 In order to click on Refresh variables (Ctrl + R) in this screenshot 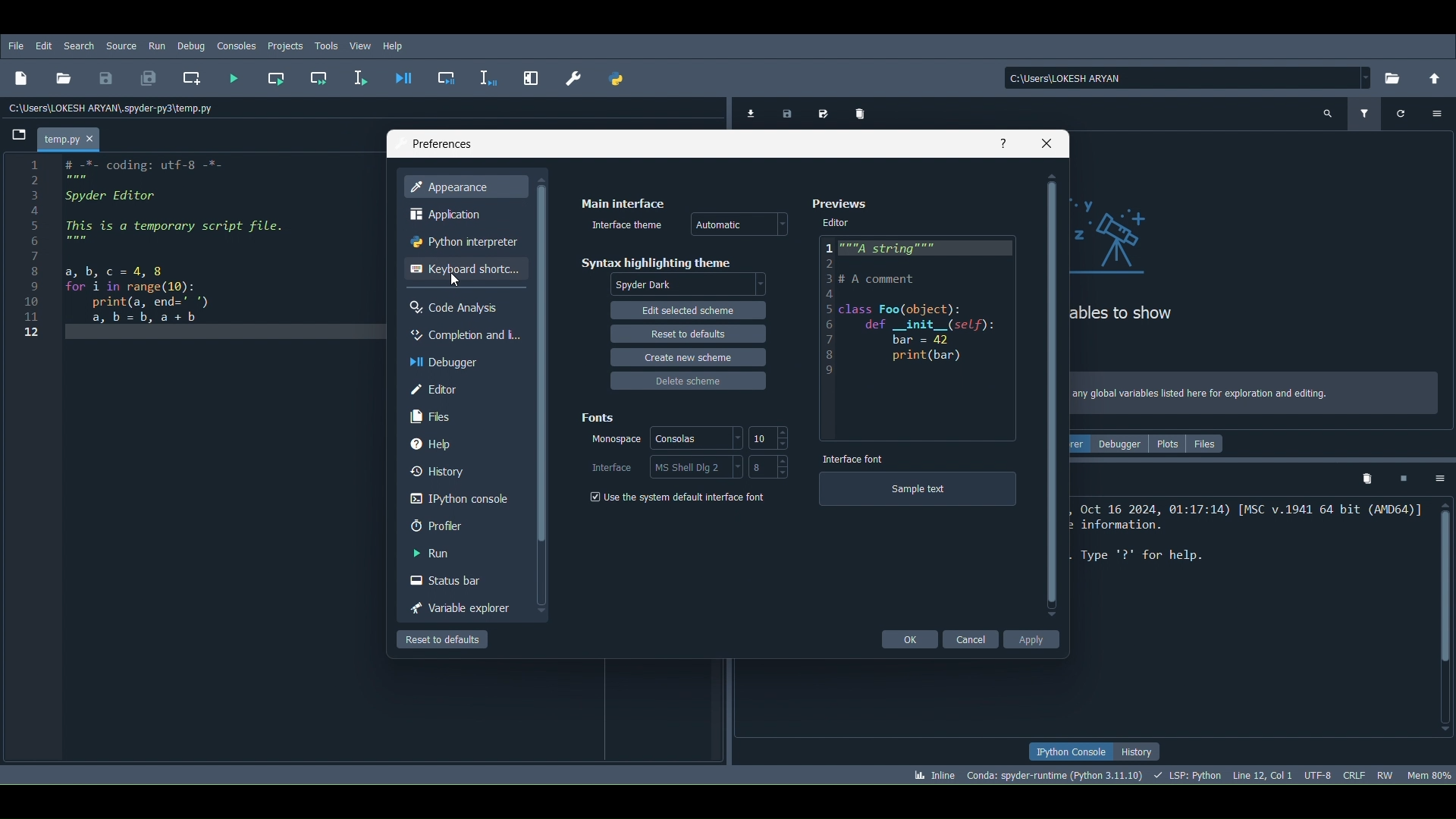, I will do `click(1401, 113)`.